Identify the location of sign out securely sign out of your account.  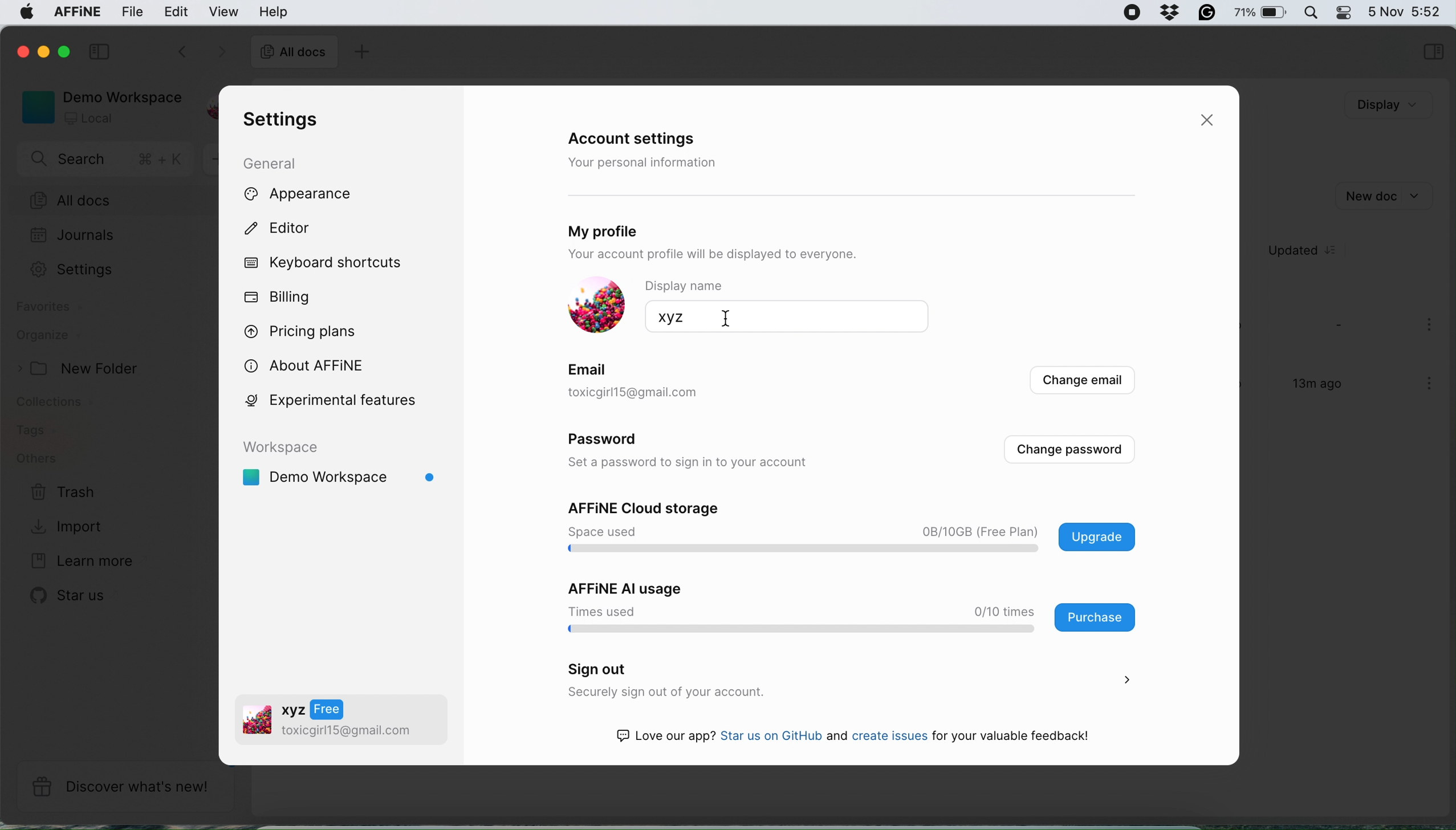
(845, 681).